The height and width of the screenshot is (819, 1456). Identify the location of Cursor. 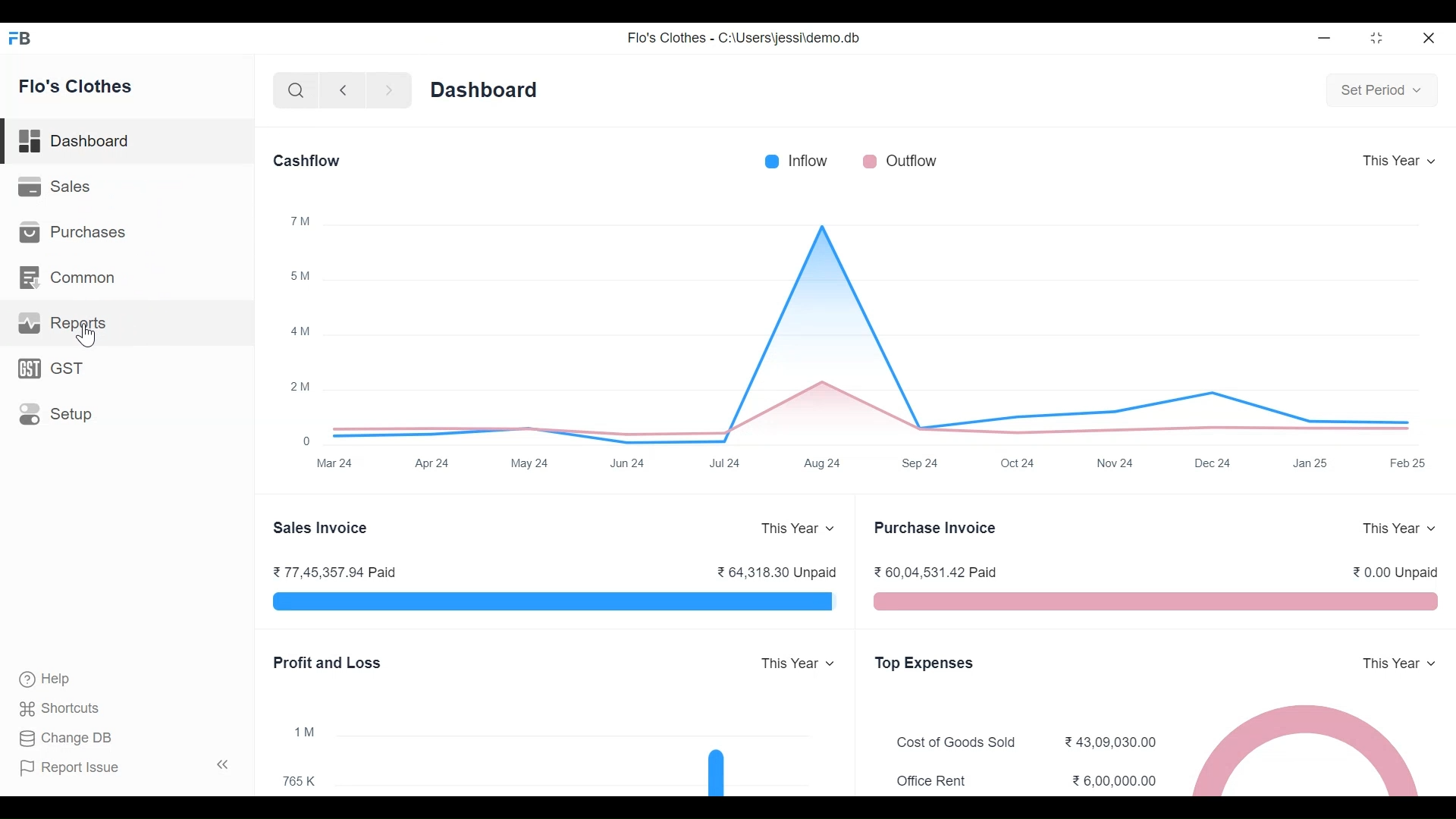
(87, 335).